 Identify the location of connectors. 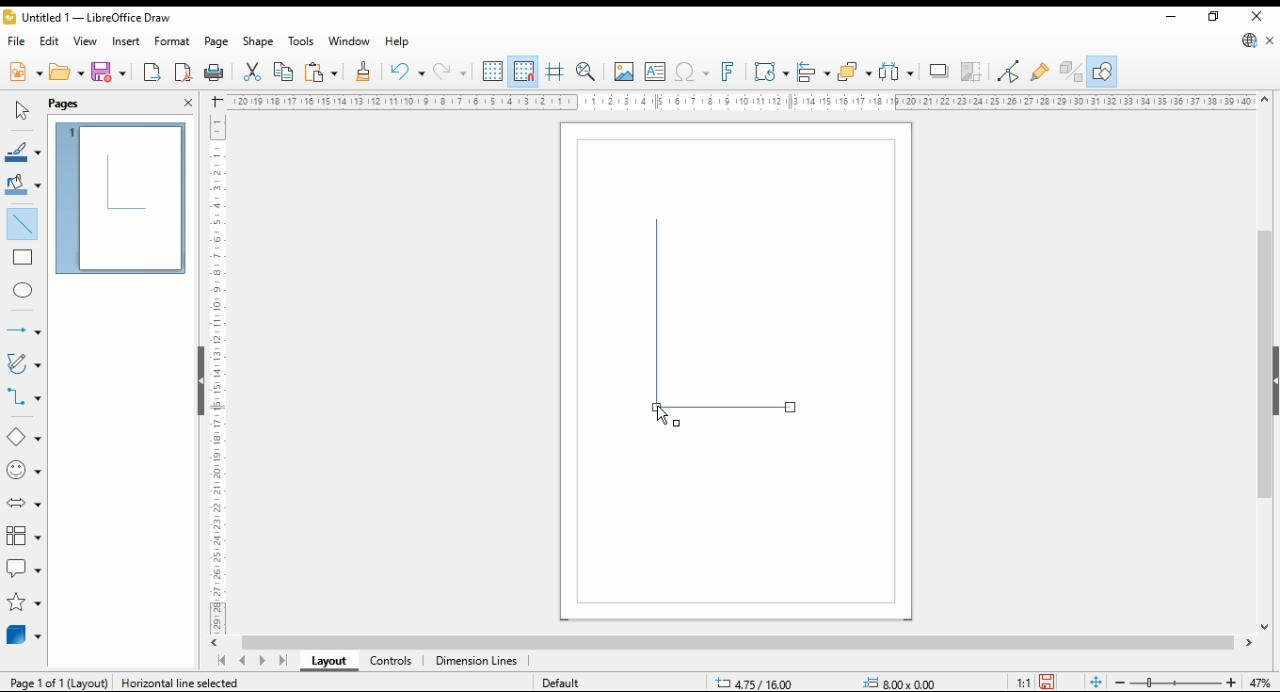
(24, 397).